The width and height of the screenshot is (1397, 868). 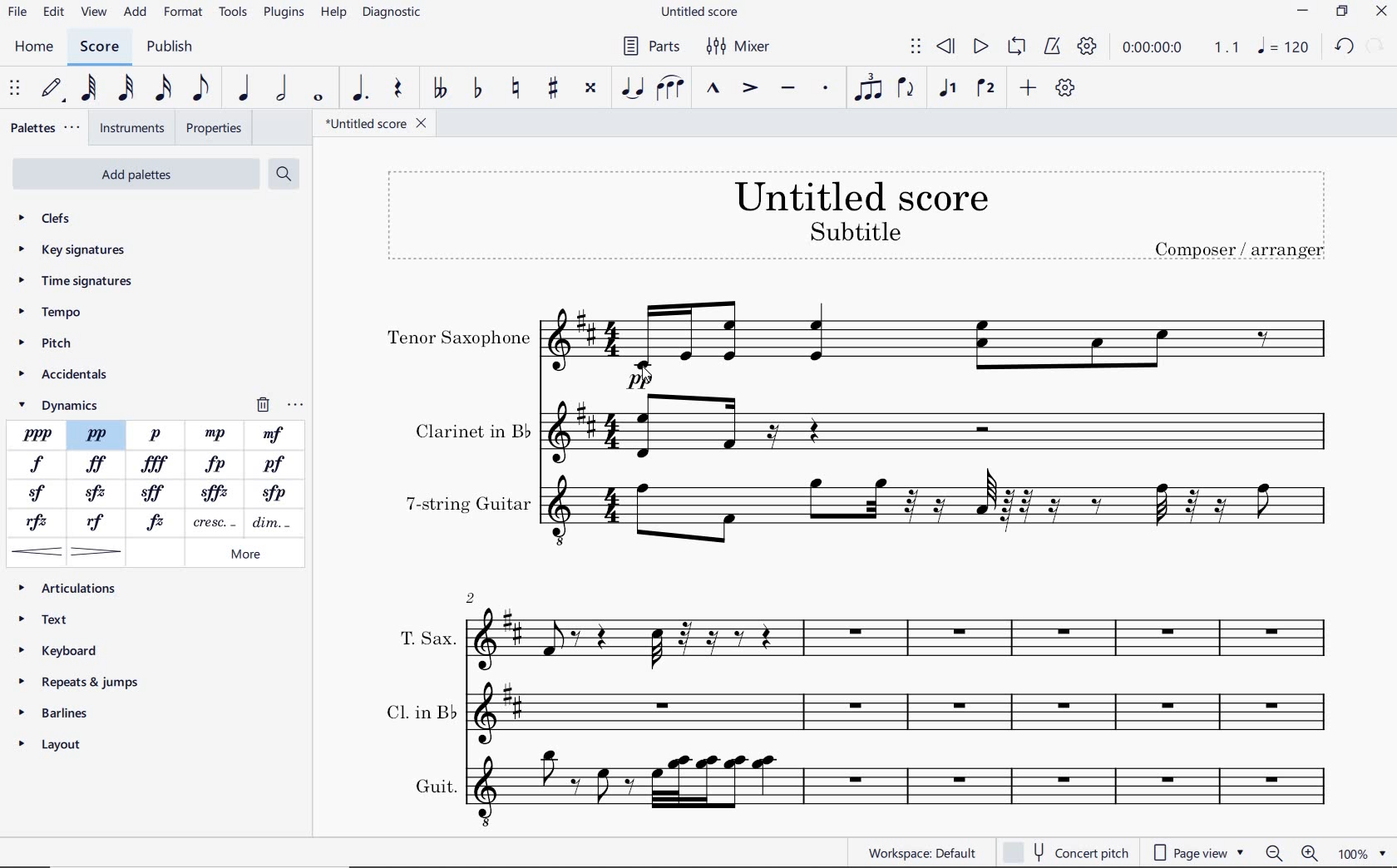 What do you see at coordinates (592, 90) in the screenshot?
I see `TOGGLE DOUBLE-SHARP` at bounding box center [592, 90].